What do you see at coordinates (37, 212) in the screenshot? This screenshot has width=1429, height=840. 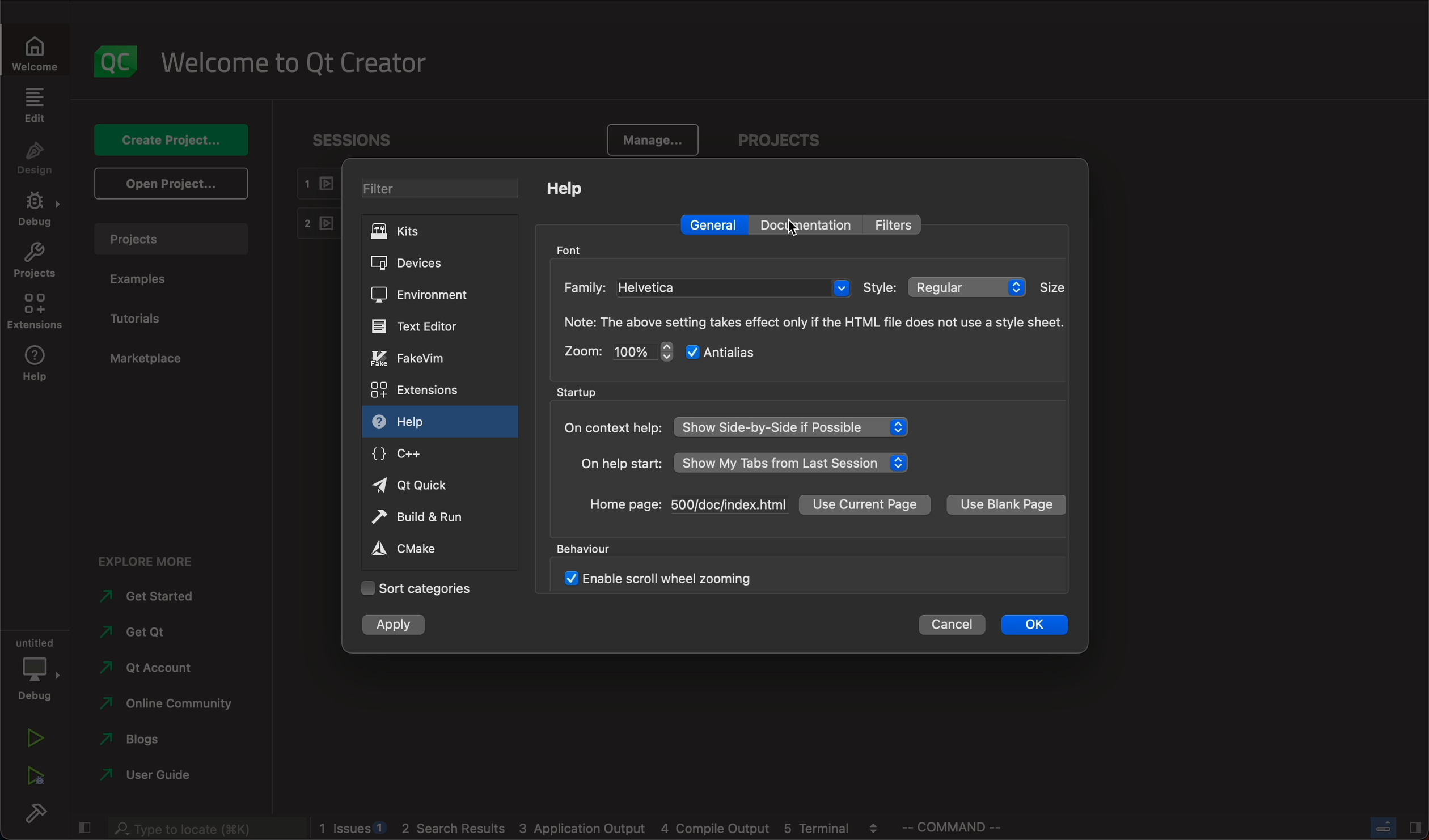 I see `debug` at bounding box center [37, 212].